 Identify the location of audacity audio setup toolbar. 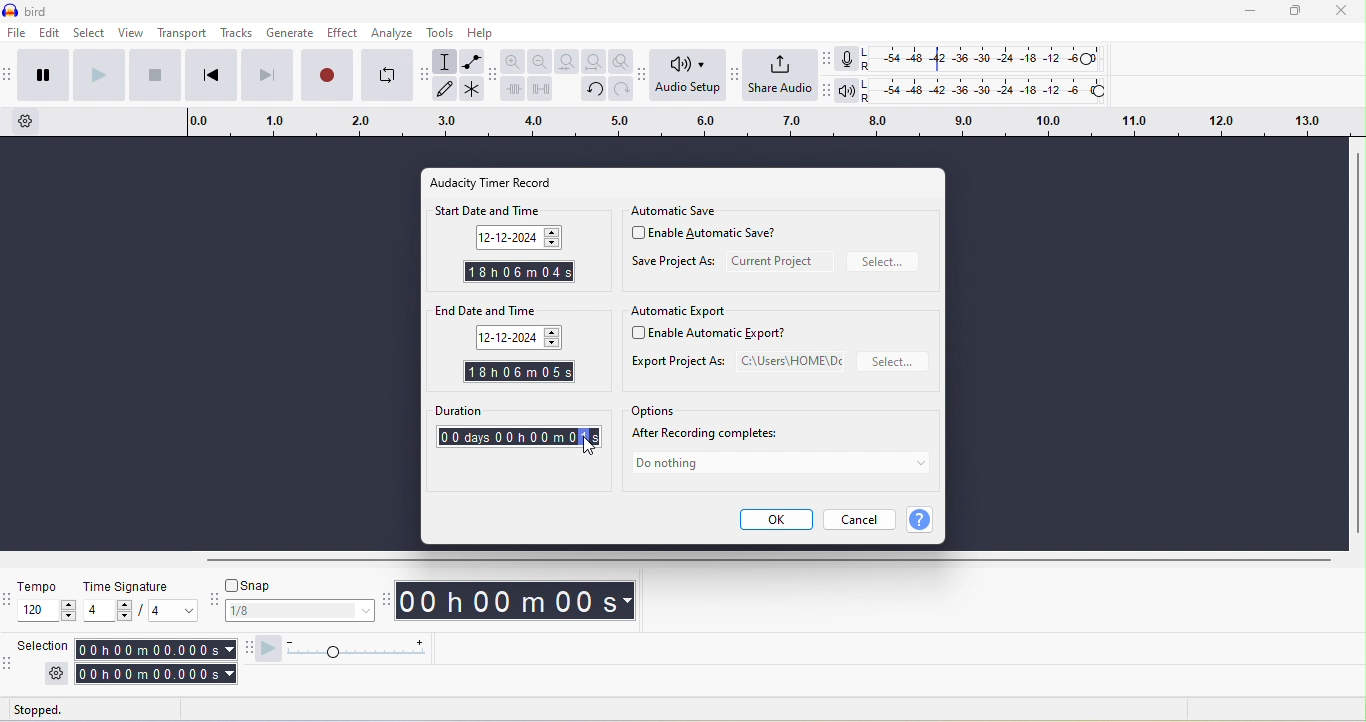
(644, 78).